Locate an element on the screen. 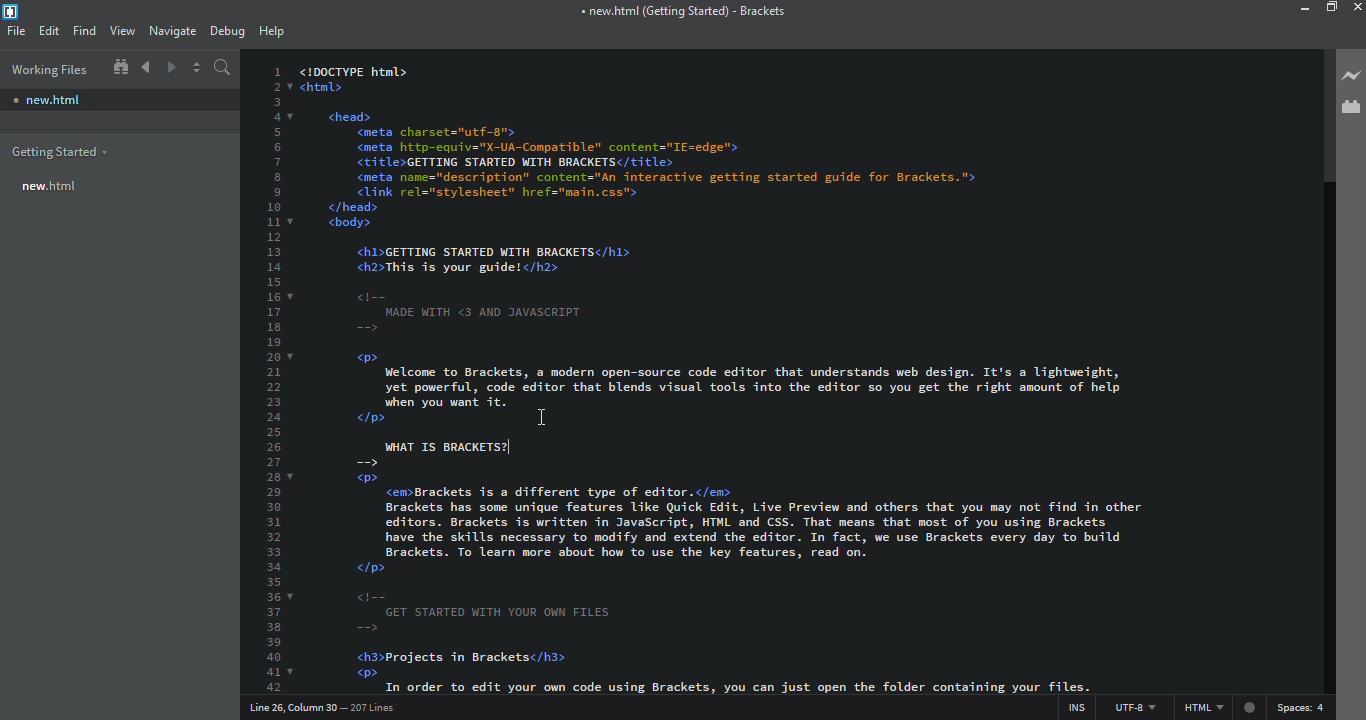  split editor is located at coordinates (196, 68).